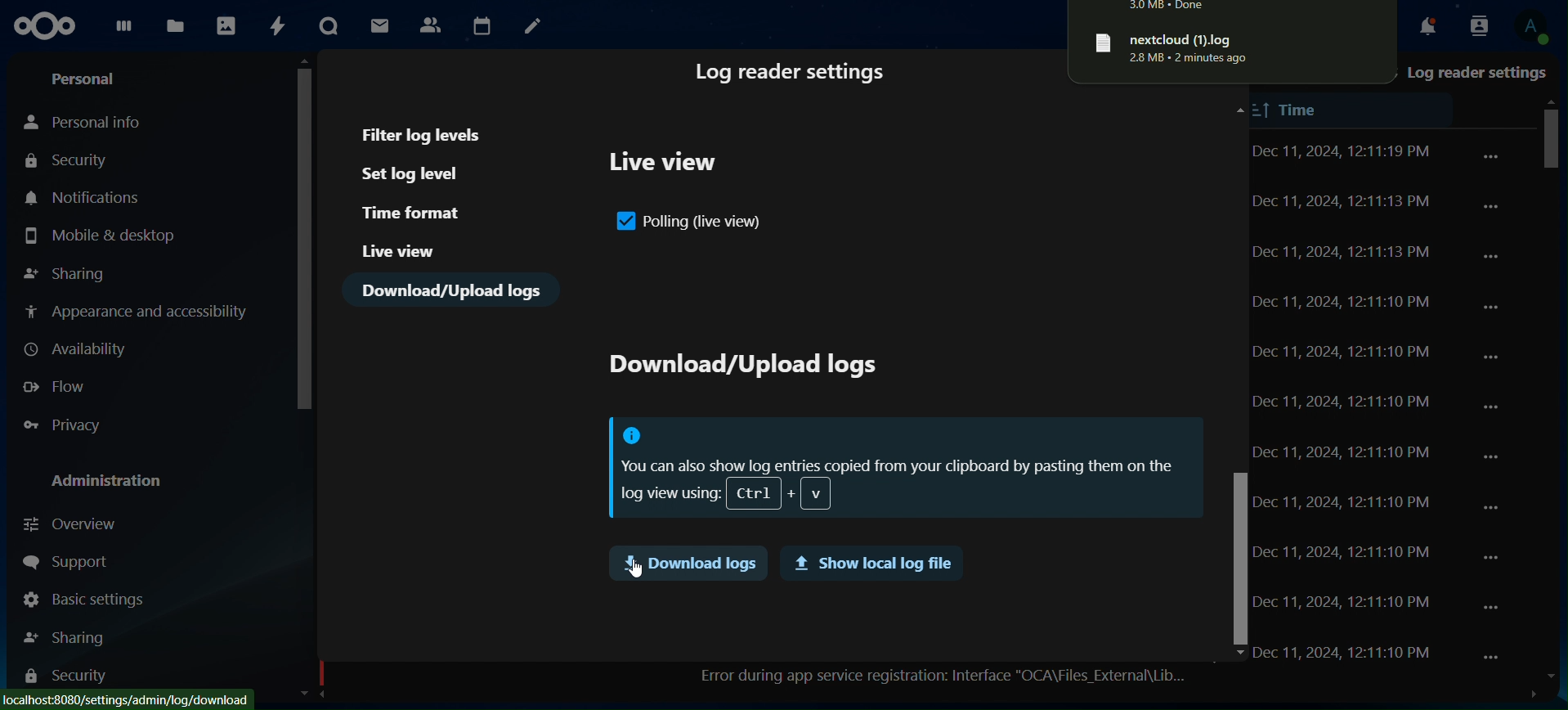 The width and height of the screenshot is (1568, 710). What do you see at coordinates (48, 26) in the screenshot?
I see `icon` at bounding box center [48, 26].